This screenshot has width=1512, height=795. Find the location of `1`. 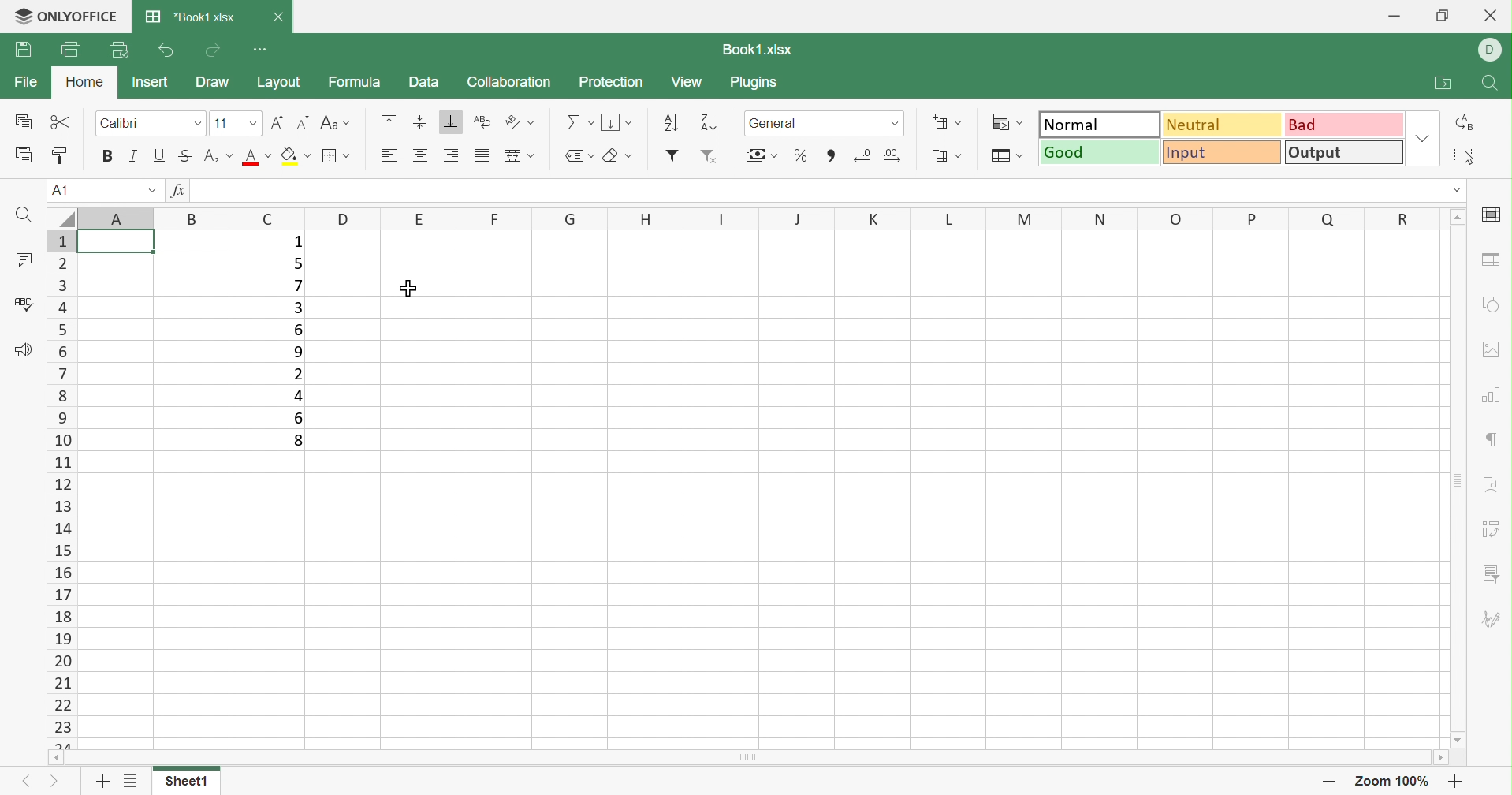

1 is located at coordinates (296, 243).